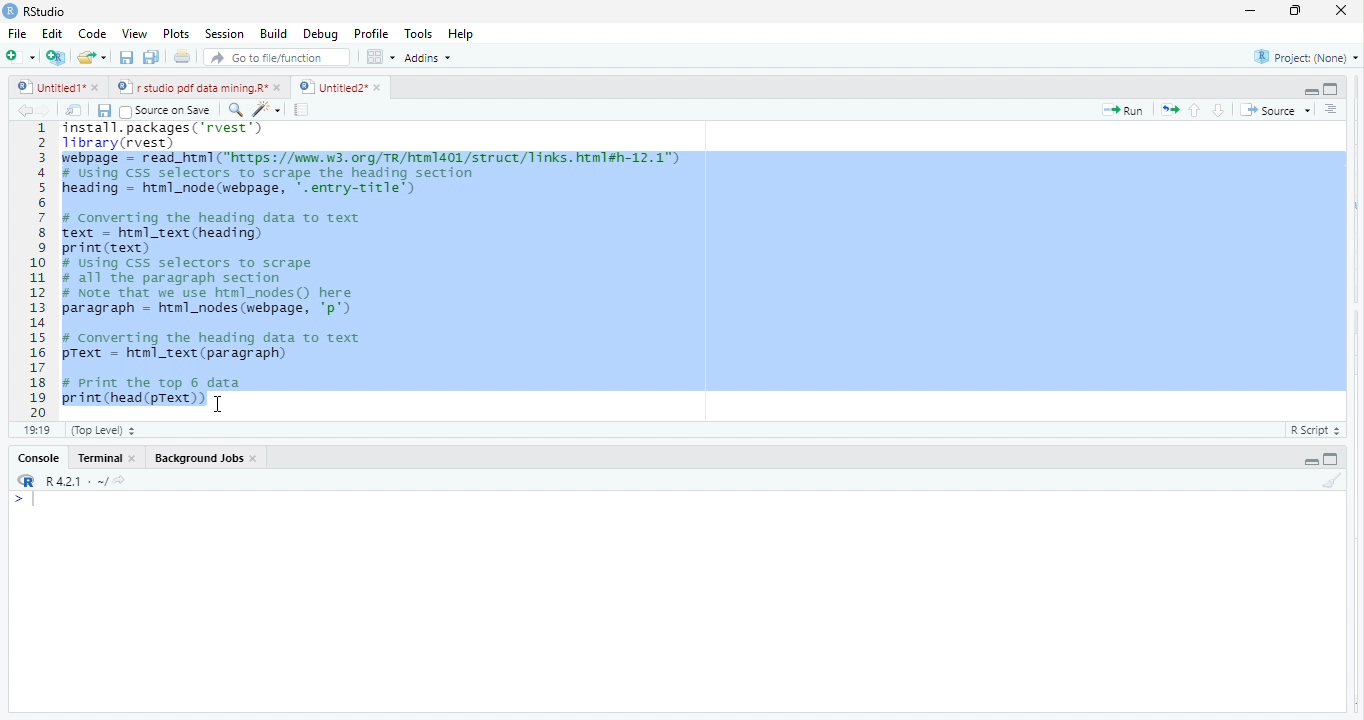  I want to click on find/replace, so click(234, 109).